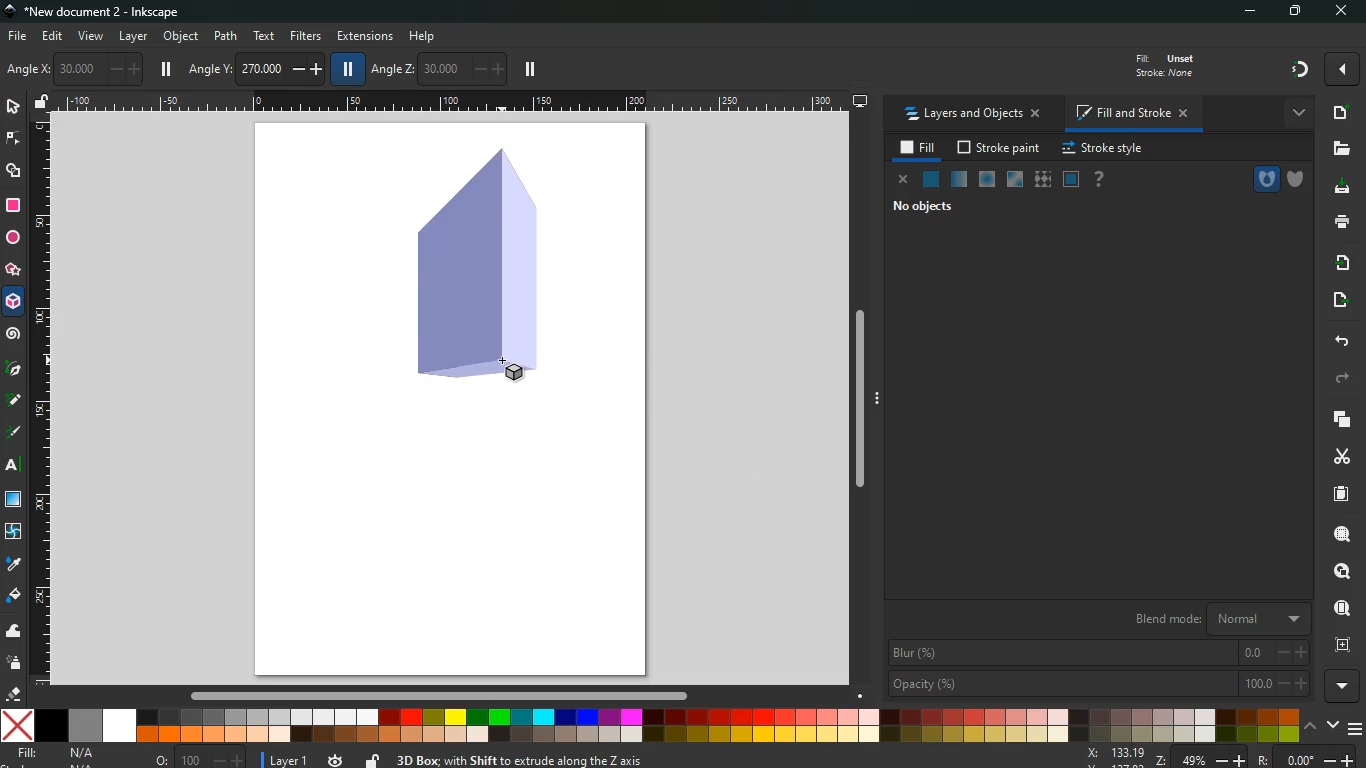 The width and height of the screenshot is (1366, 768). What do you see at coordinates (1335, 301) in the screenshot?
I see `send` at bounding box center [1335, 301].